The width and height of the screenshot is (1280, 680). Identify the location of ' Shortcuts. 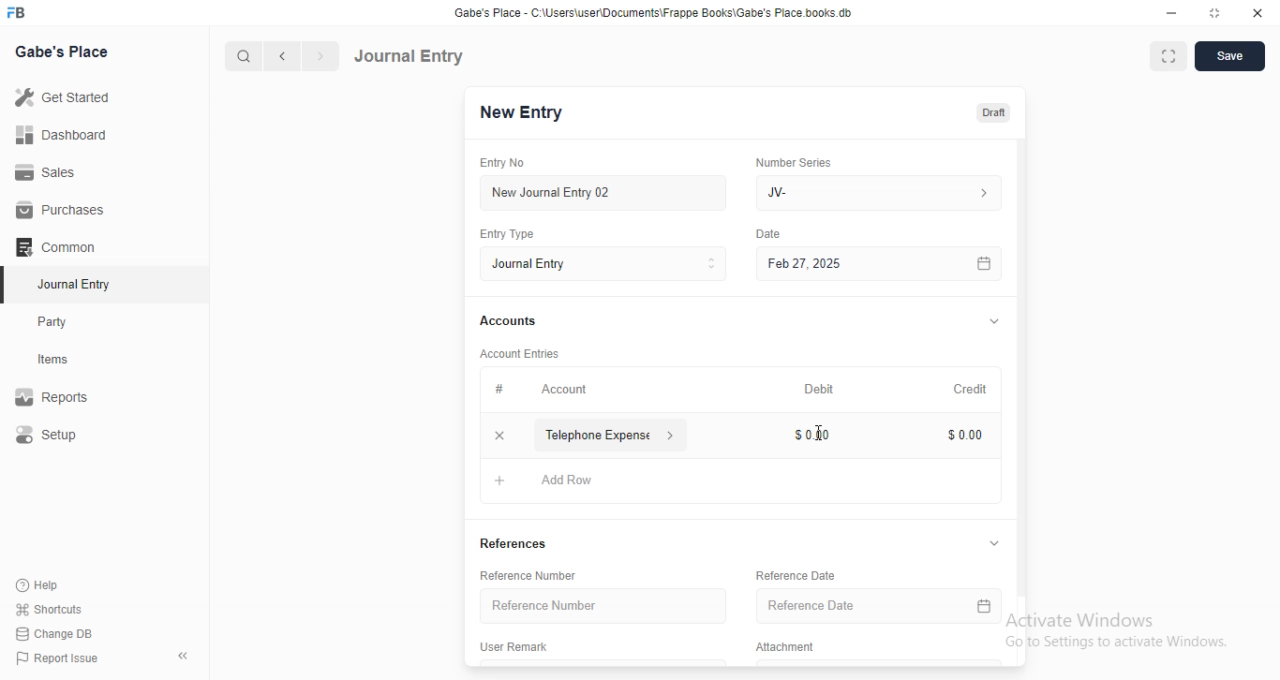
(50, 608).